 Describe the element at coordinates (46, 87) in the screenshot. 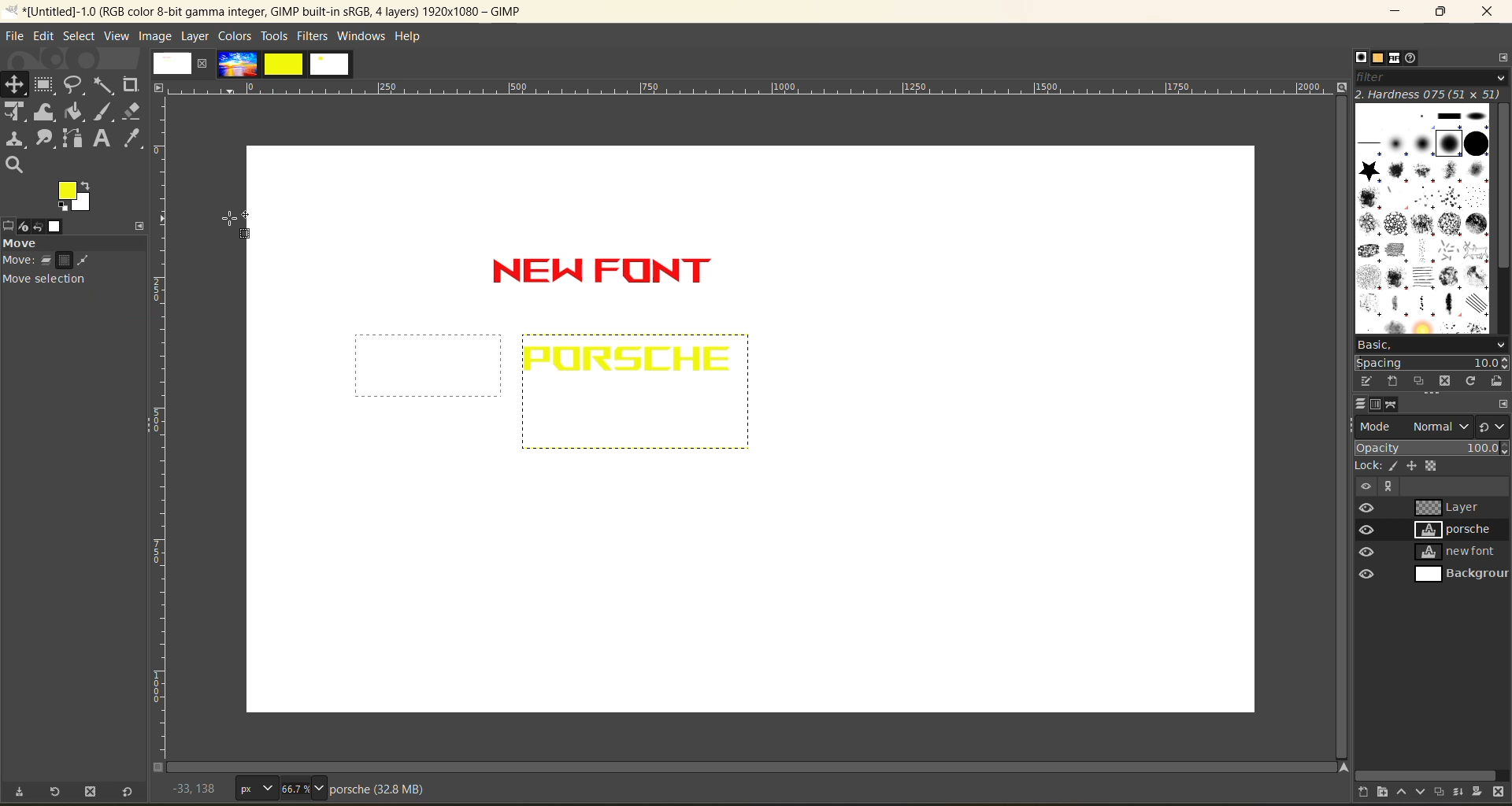

I see `frame` at that location.